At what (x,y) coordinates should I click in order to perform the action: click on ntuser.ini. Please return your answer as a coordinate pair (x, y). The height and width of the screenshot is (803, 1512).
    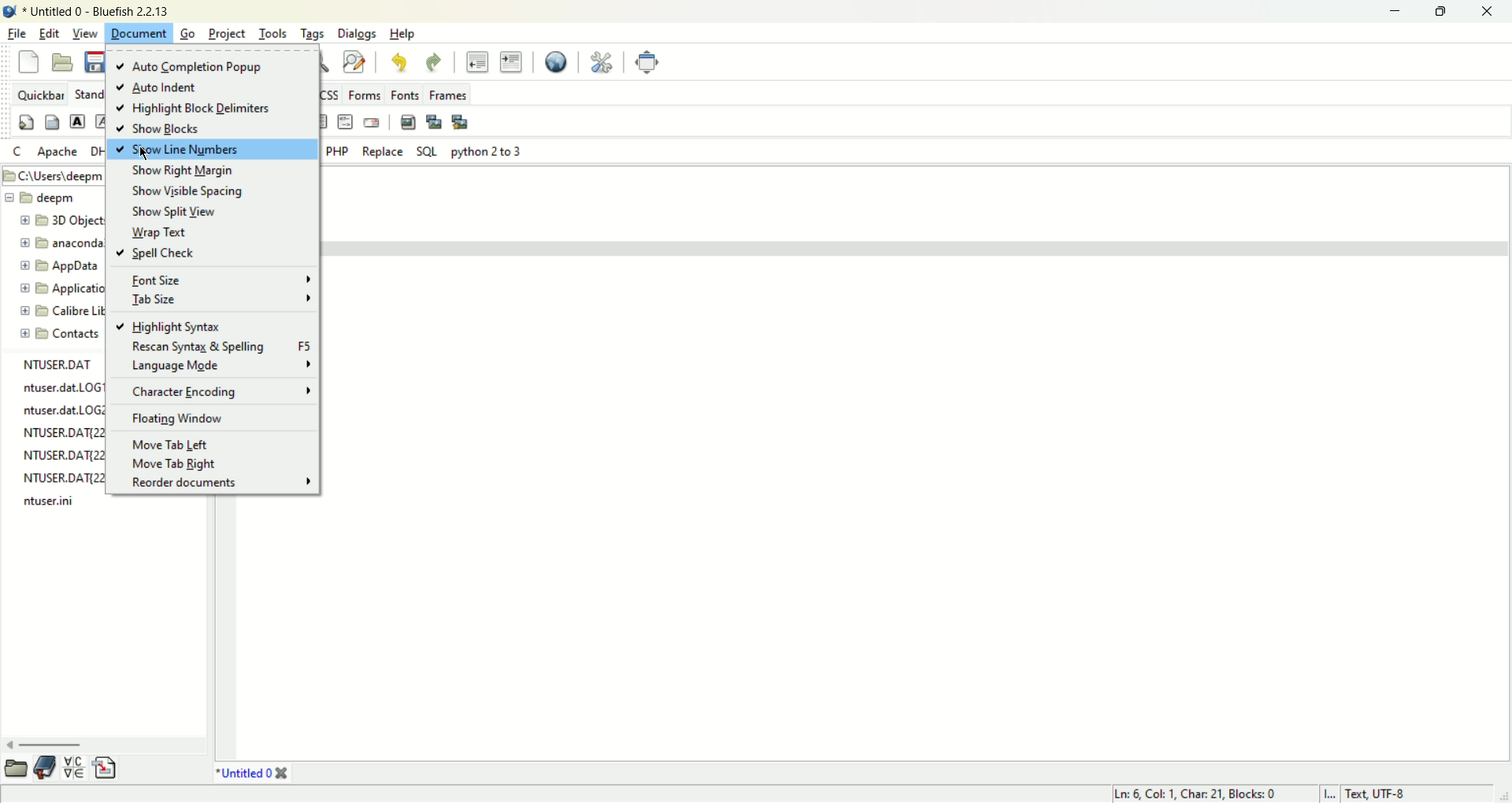
    Looking at the image, I should click on (51, 501).